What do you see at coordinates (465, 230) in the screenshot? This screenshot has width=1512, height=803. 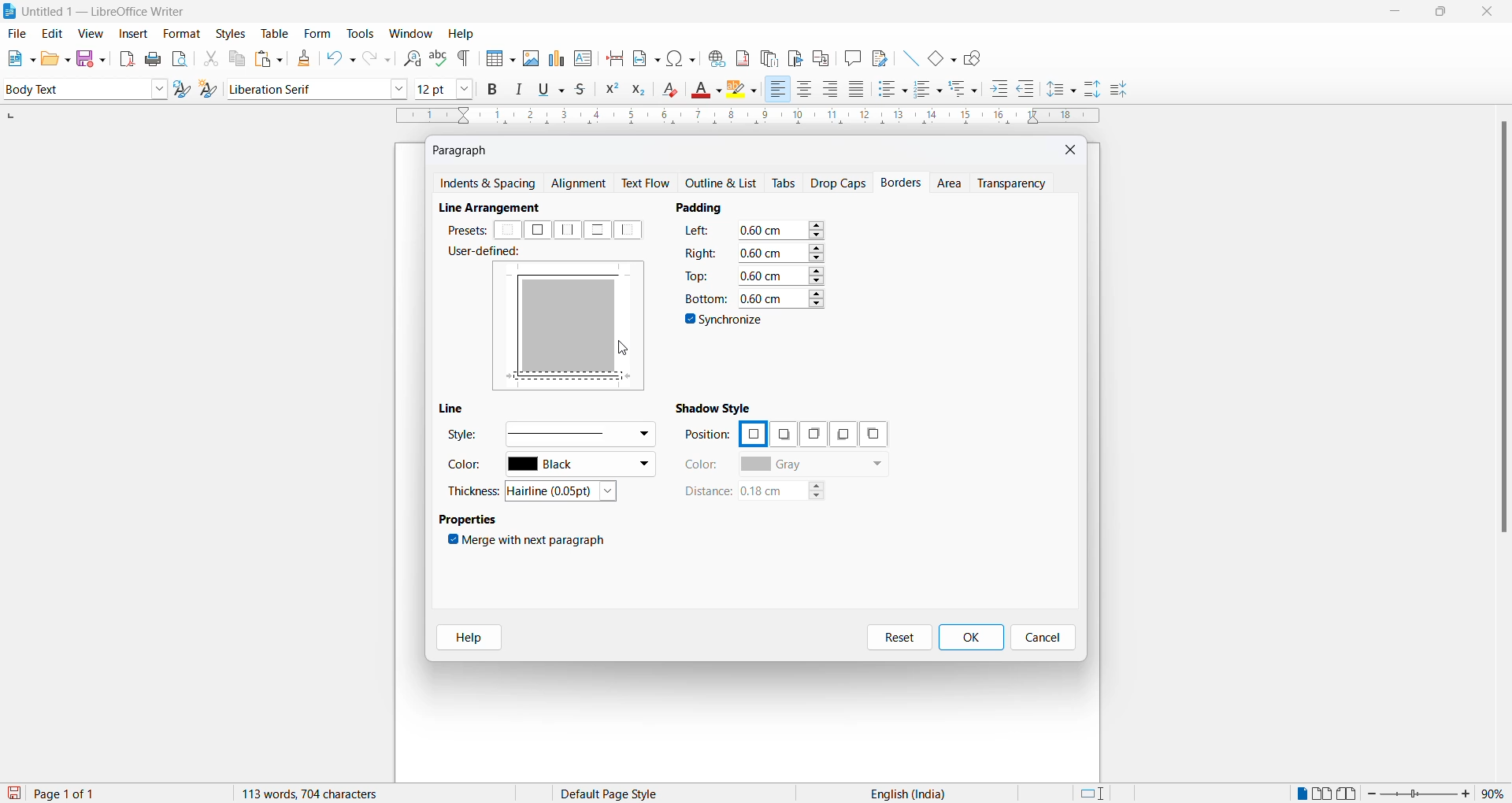 I see `presets` at bounding box center [465, 230].